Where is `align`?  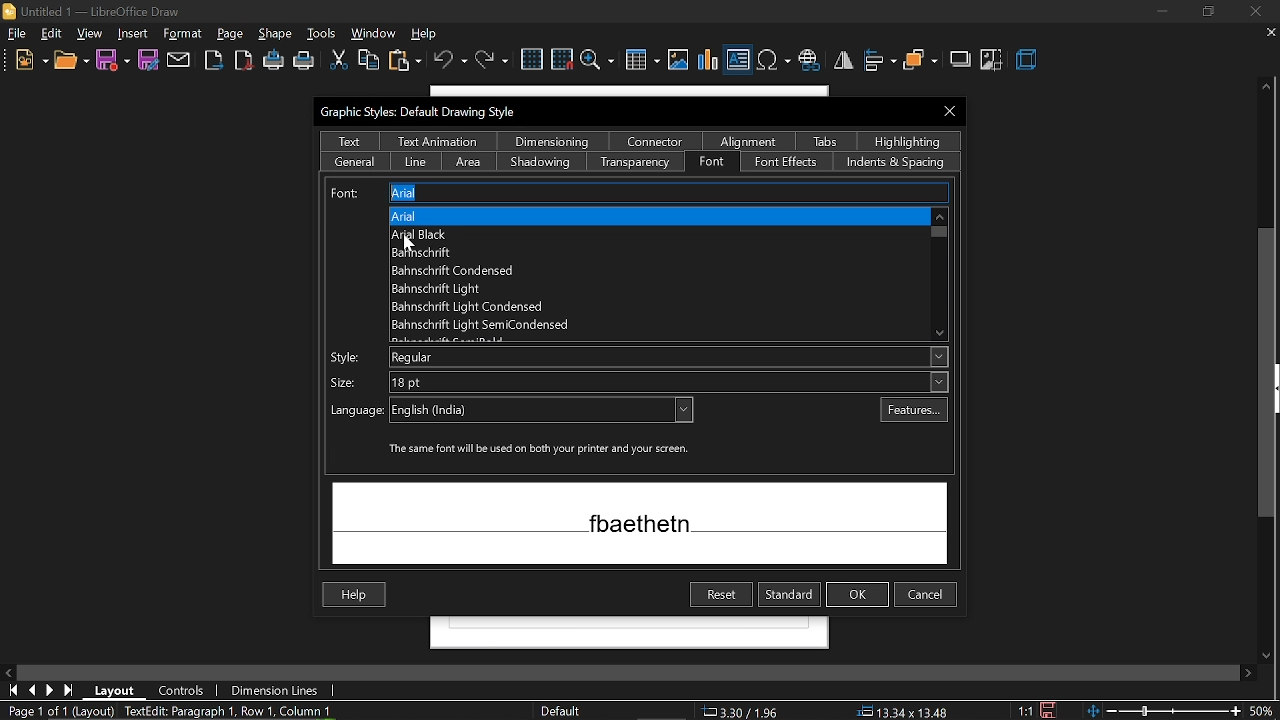
align is located at coordinates (880, 62).